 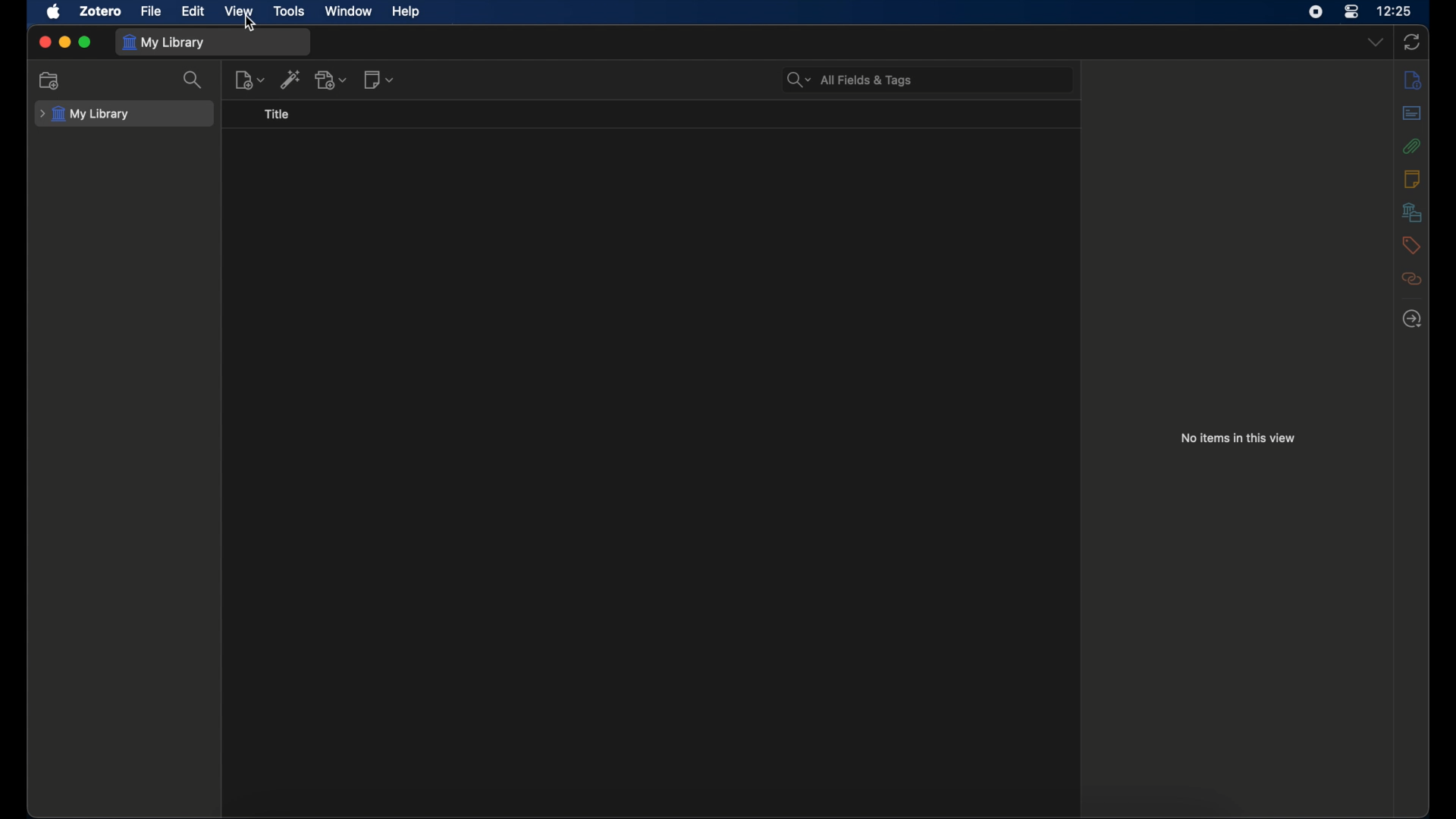 What do you see at coordinates (151, 11) in the screenshot?
I see `file` at bounding box center [151, 11].